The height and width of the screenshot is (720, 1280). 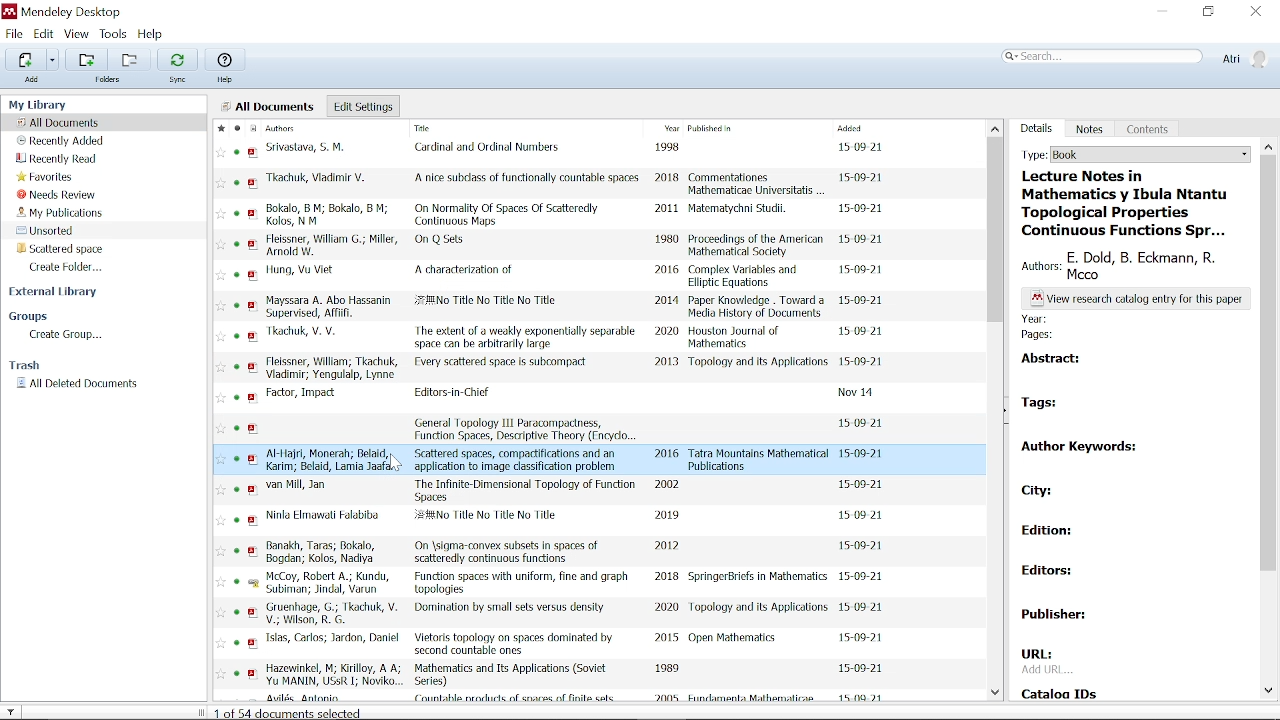 What do you see at coordinates (1132, 155) in the screenshot?
I see `Type of the current folder` at bounding box center [1132, 155].